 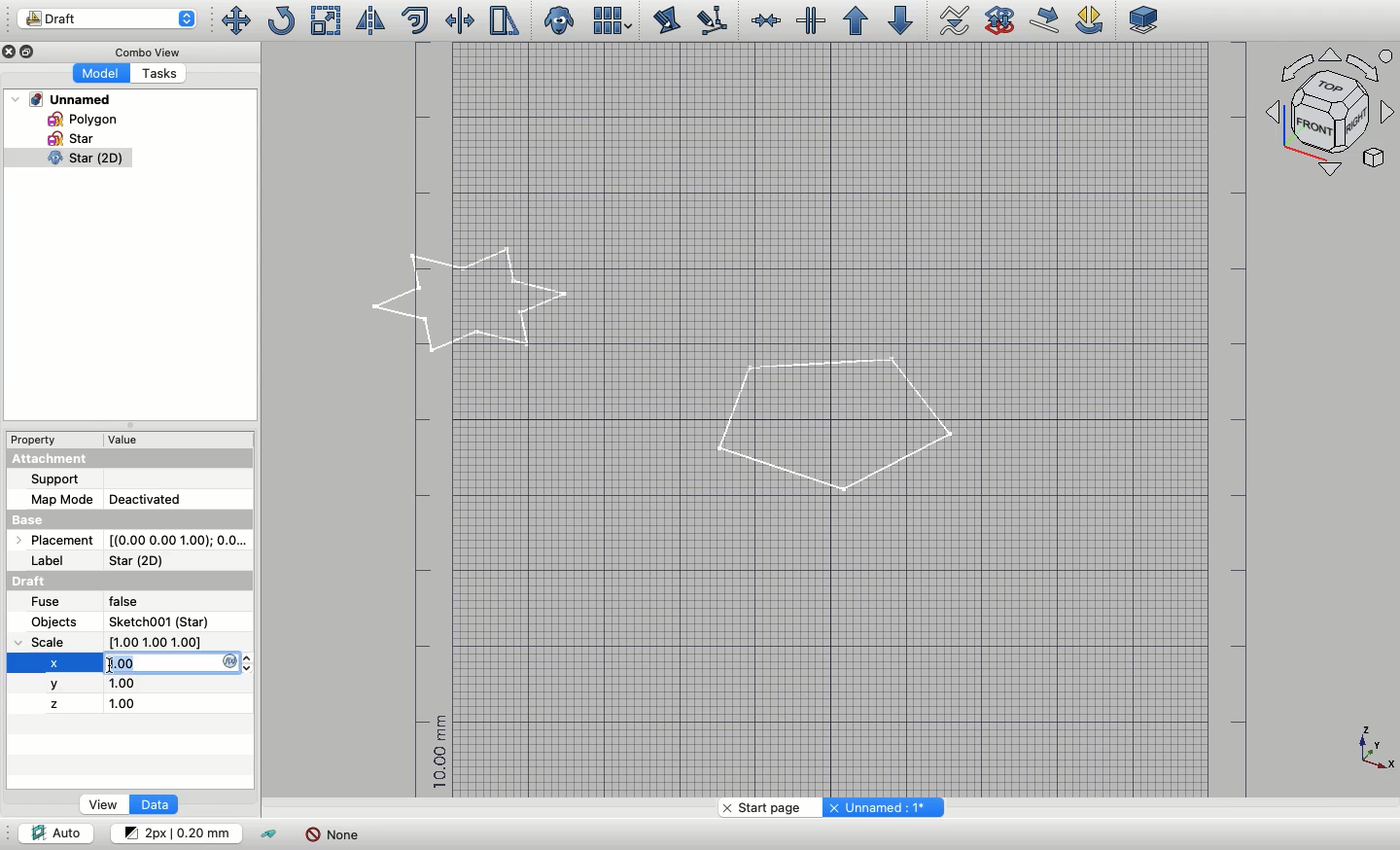 I want to click on Navigation styles, so click(x=1332, y=115).